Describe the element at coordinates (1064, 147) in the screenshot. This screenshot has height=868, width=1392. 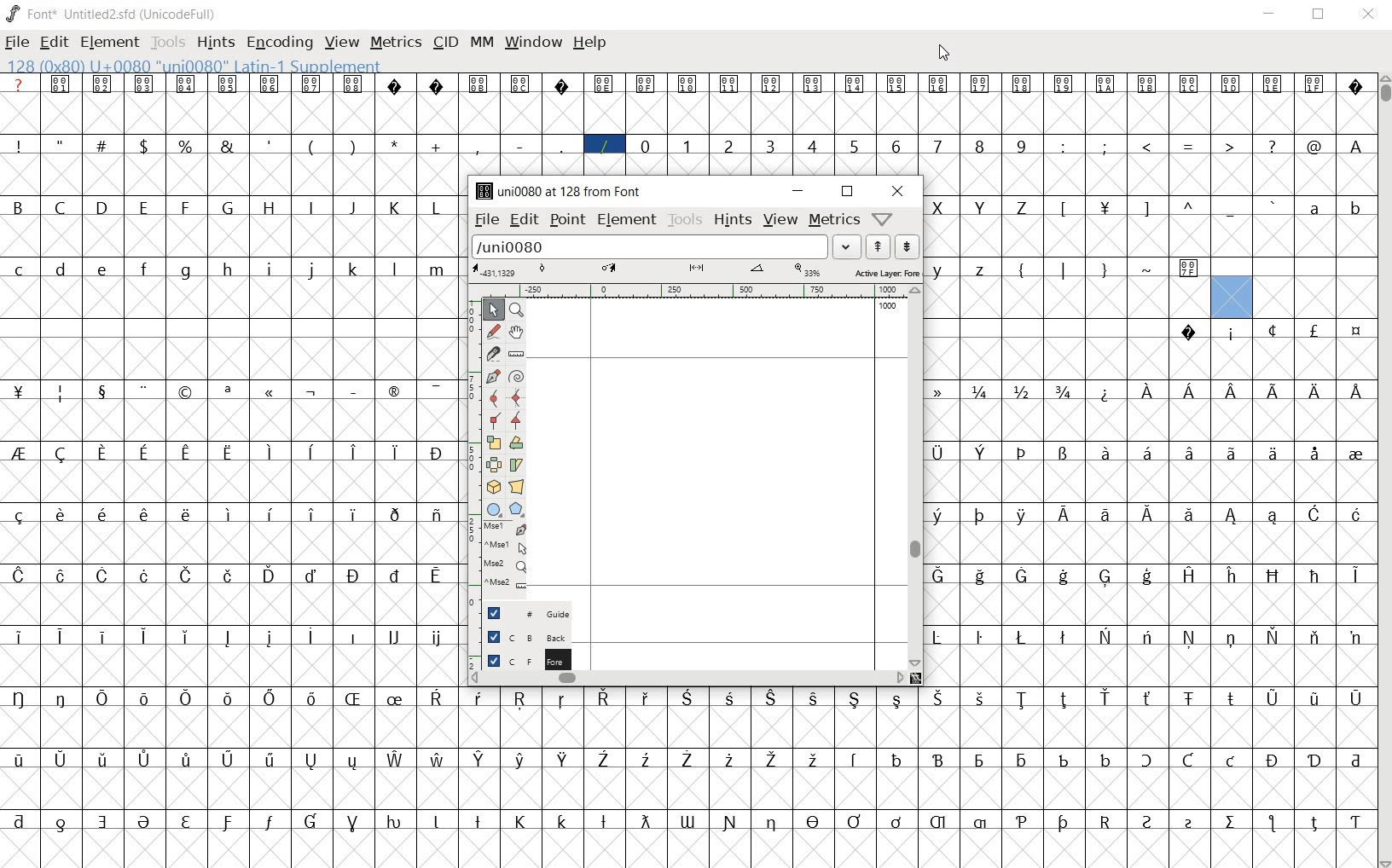
I see `glyph` at that location.